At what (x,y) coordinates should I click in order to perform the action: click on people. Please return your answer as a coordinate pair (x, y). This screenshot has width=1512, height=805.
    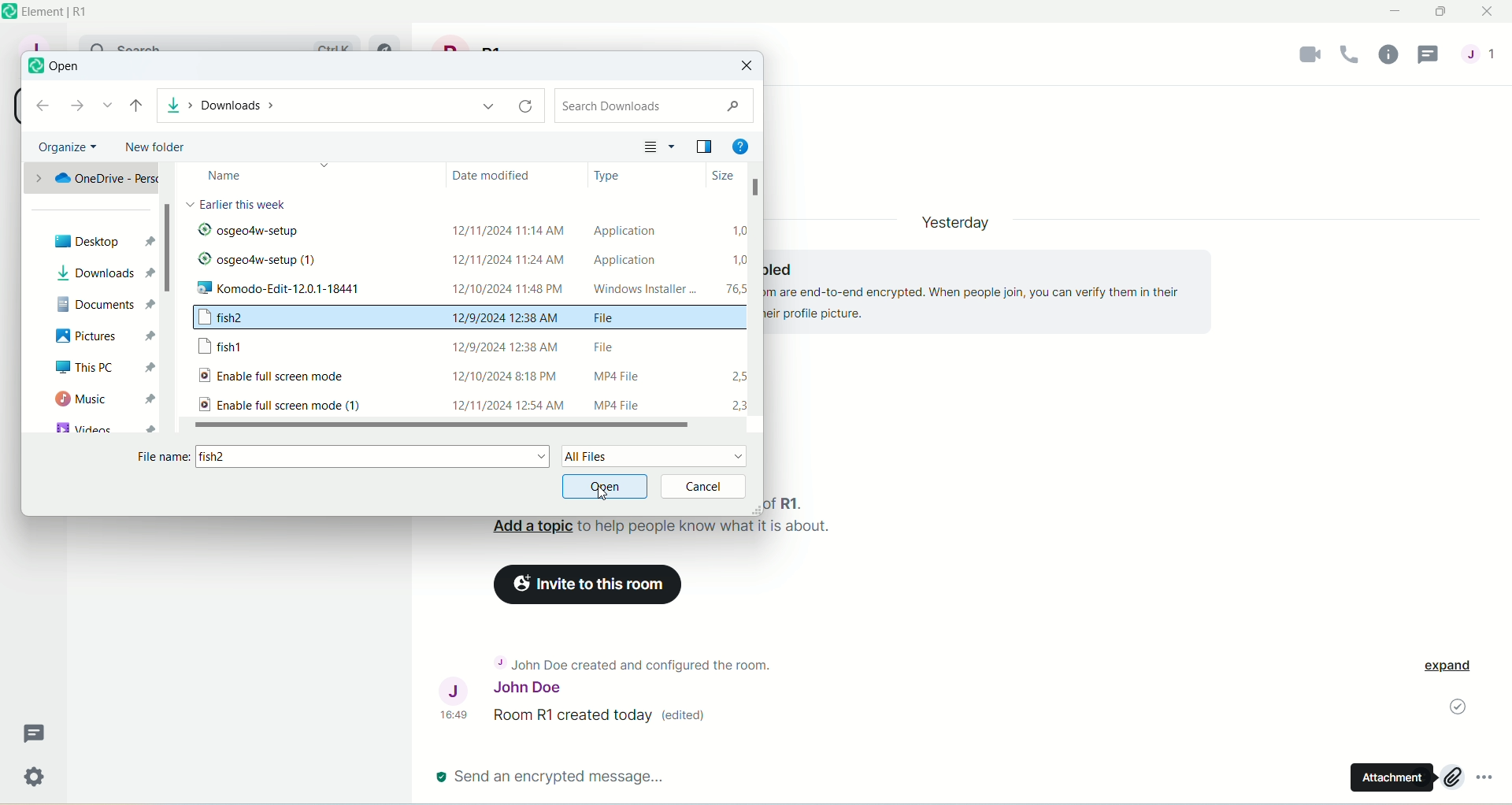
    Looking at the image, I should click on (1484, 61).